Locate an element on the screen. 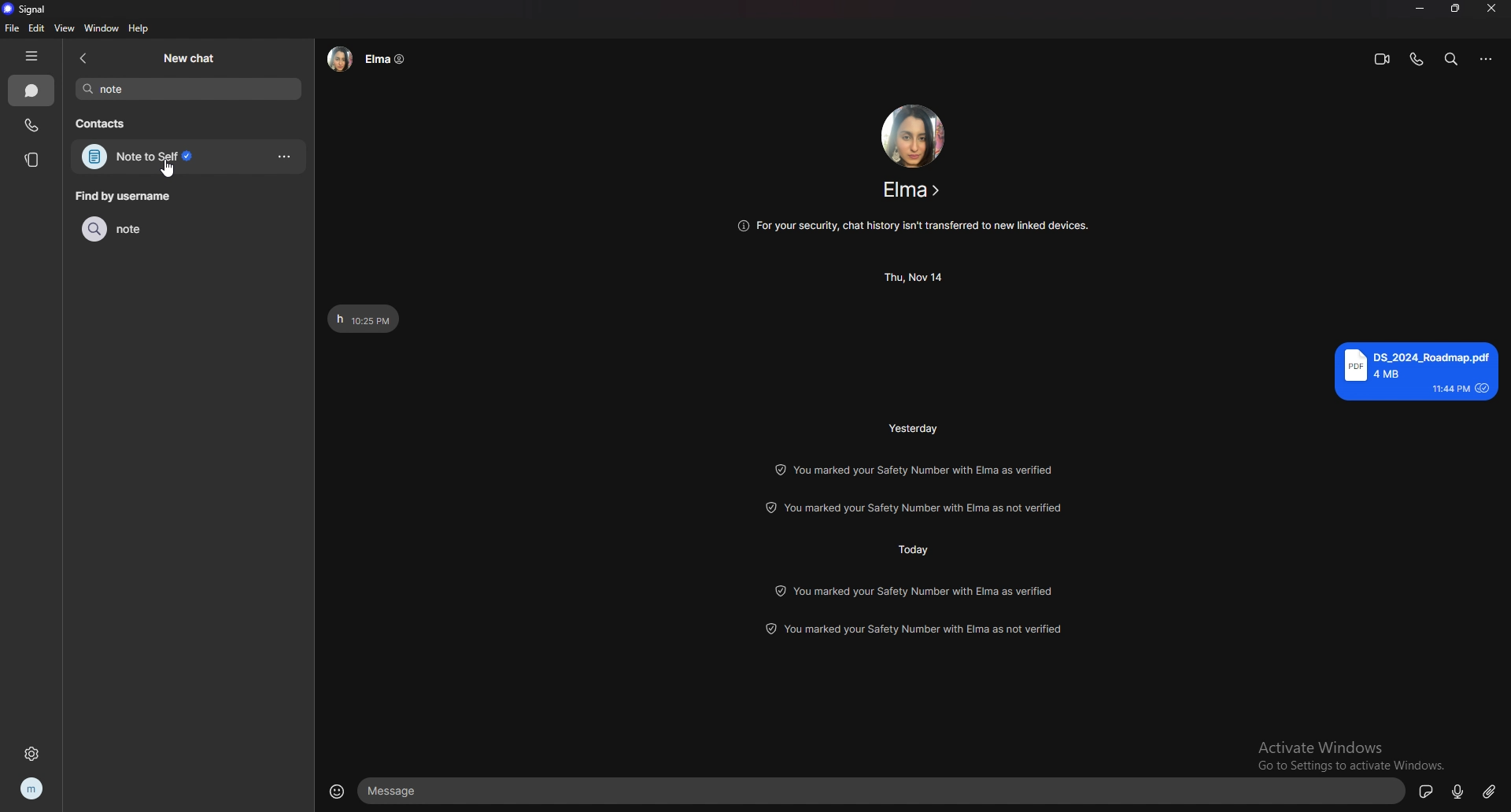  new chat is located at coordinates (189, 57).